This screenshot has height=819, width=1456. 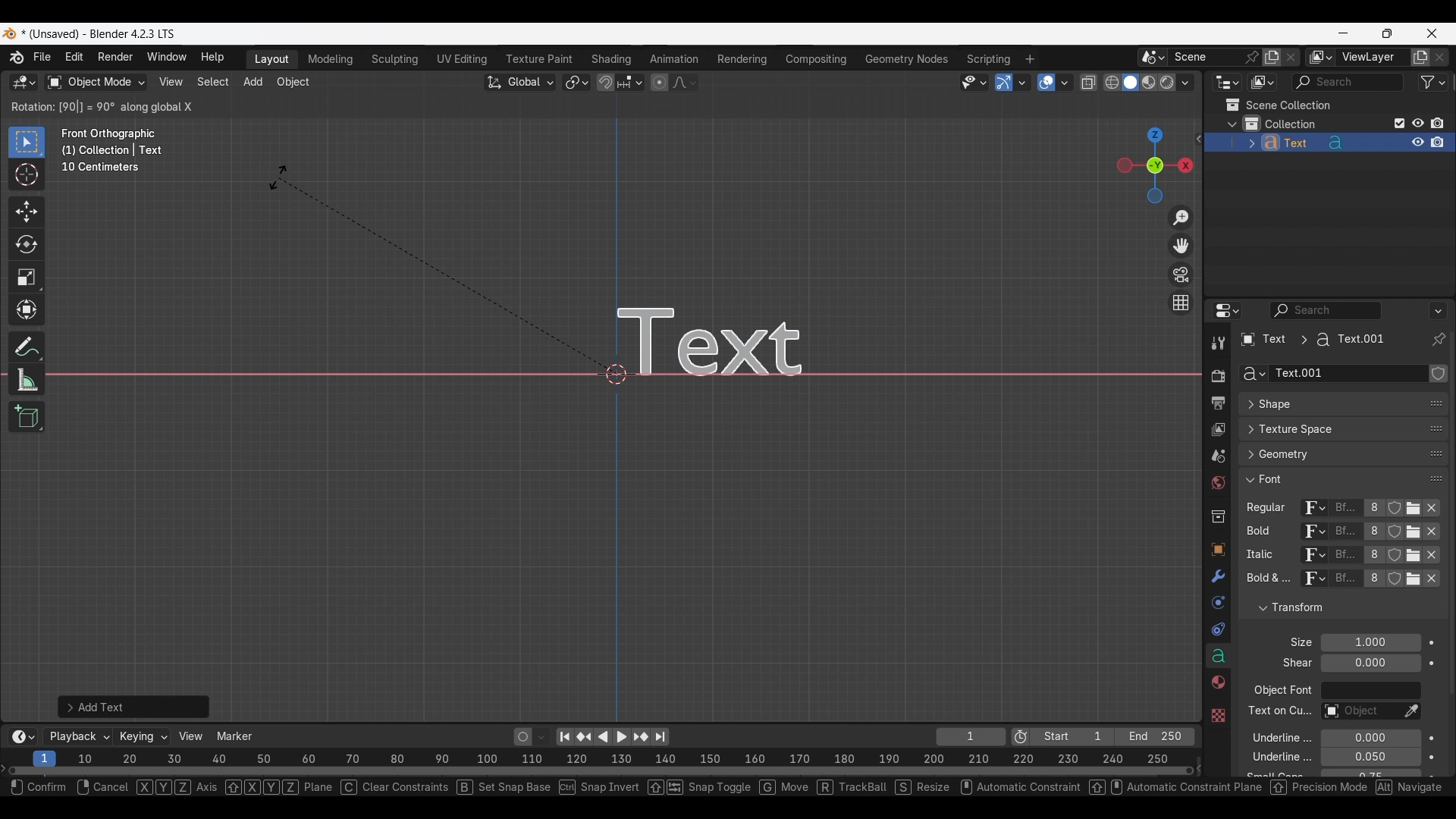 What do you see at coordinates (1272, 58) in the screenshot?
I see `Add new scene` at bounding box center [1272, 58].